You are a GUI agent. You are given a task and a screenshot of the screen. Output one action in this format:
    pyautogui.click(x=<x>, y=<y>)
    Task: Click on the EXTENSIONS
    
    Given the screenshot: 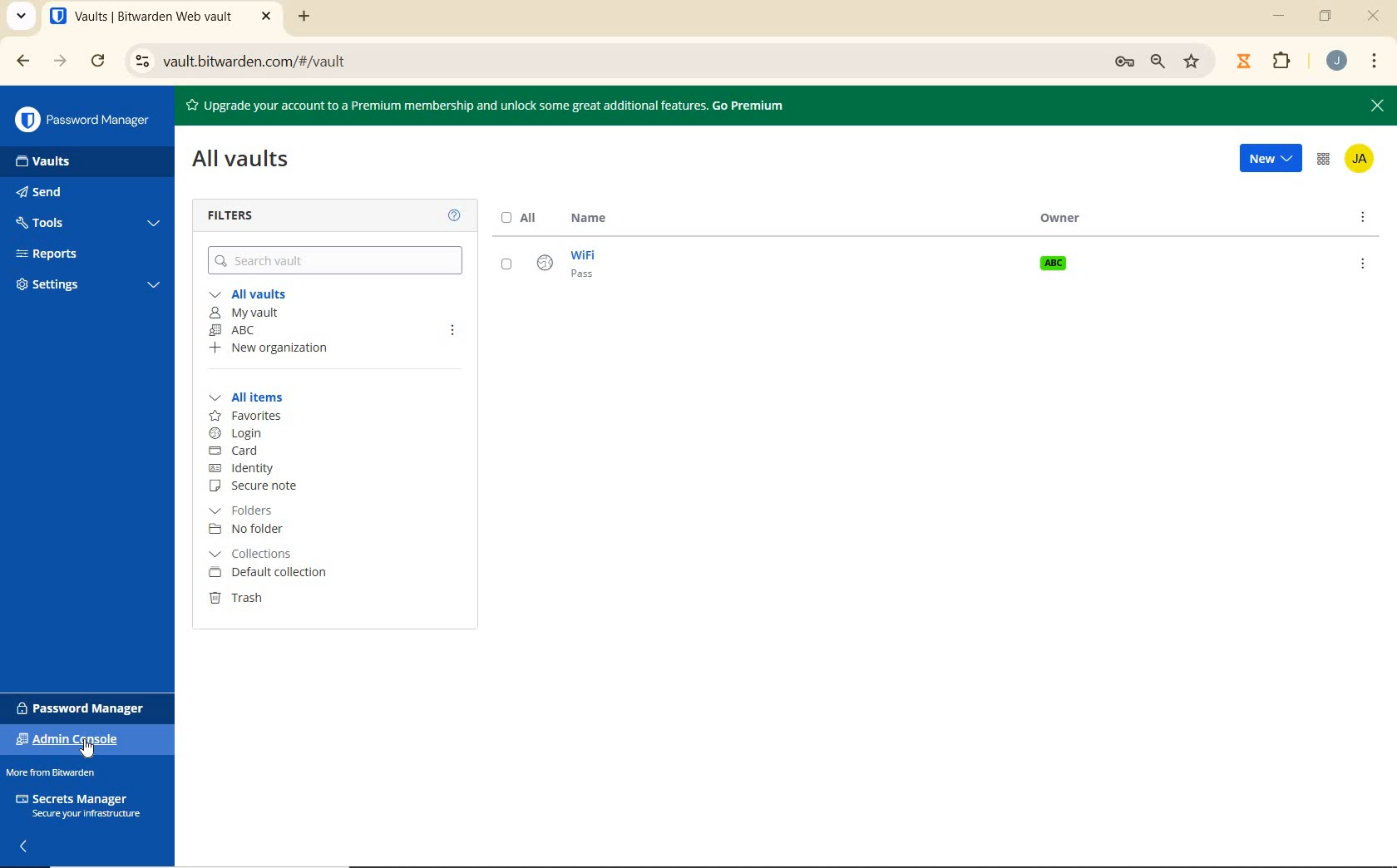 What is the action you would take?
    pyautogui.click(x=1266, y=60)
    